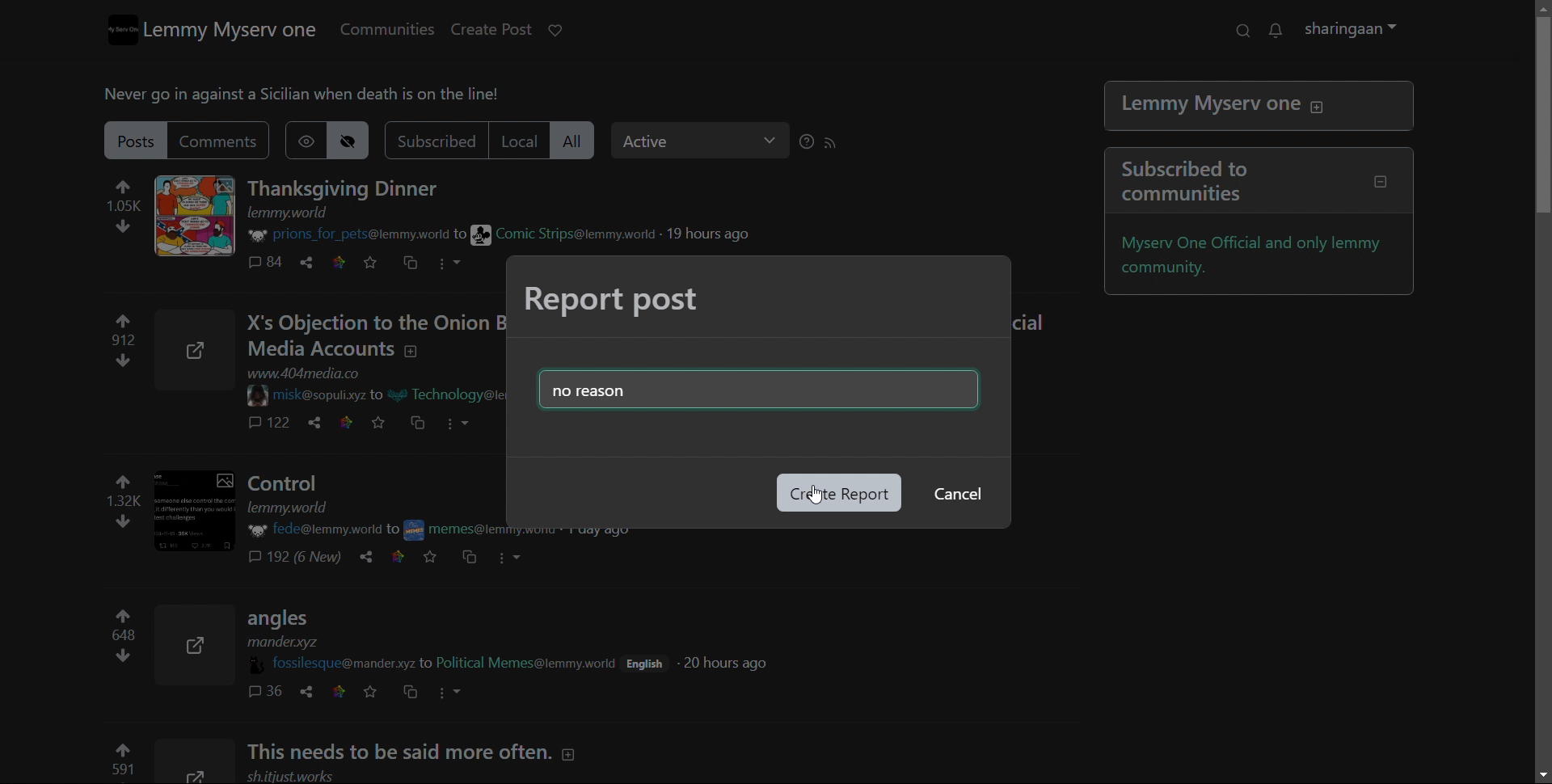 This screenshot has width=1552, height=784. I want to click on create post, so click(501, 29).